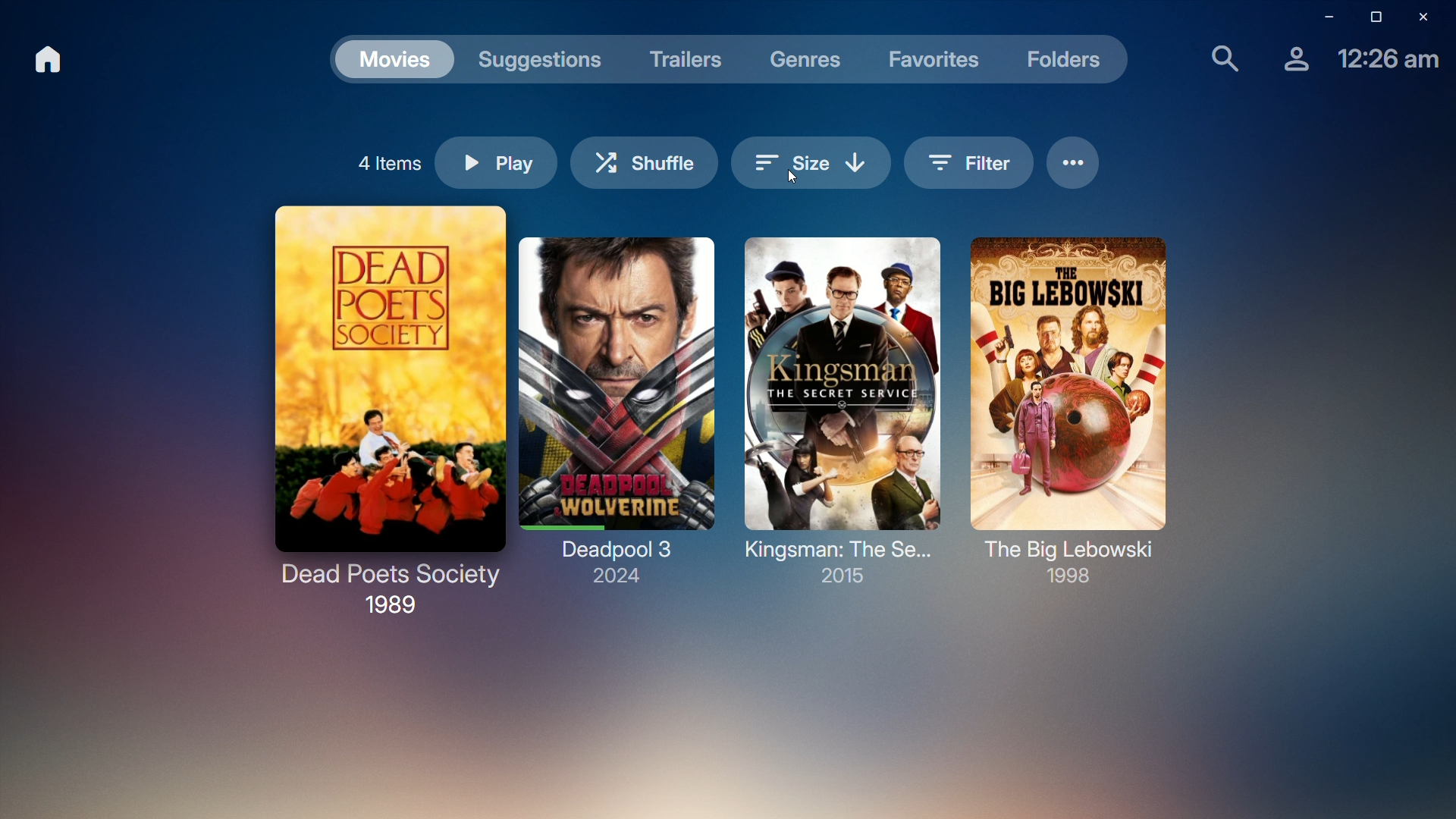 This screenshot has height=819, width=1456. I want to click on cursor, so click(793, 181).